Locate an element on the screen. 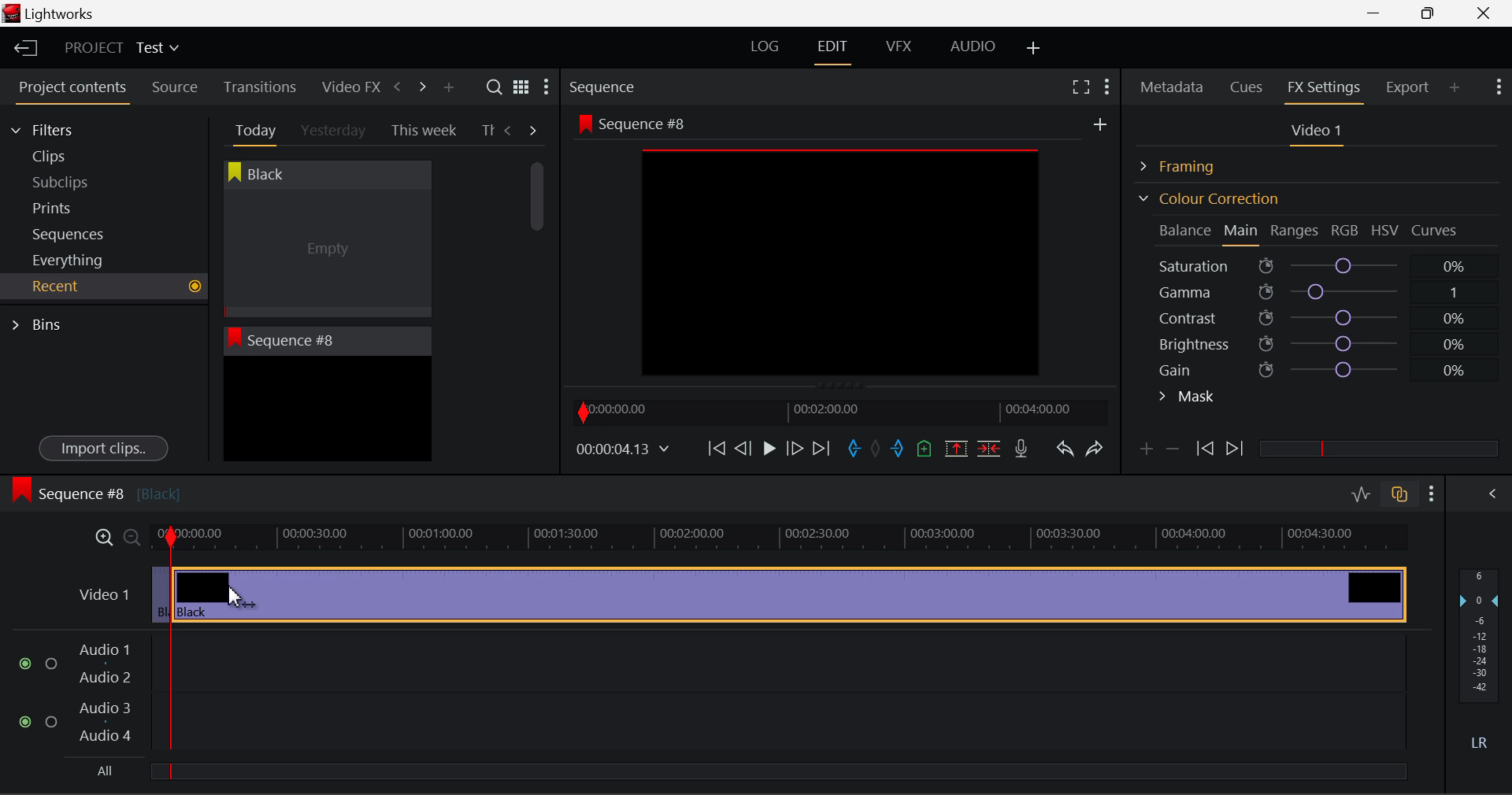 The width and height of the screenshot is (1512, 795). Gain is located at coordinates (1332, 367).